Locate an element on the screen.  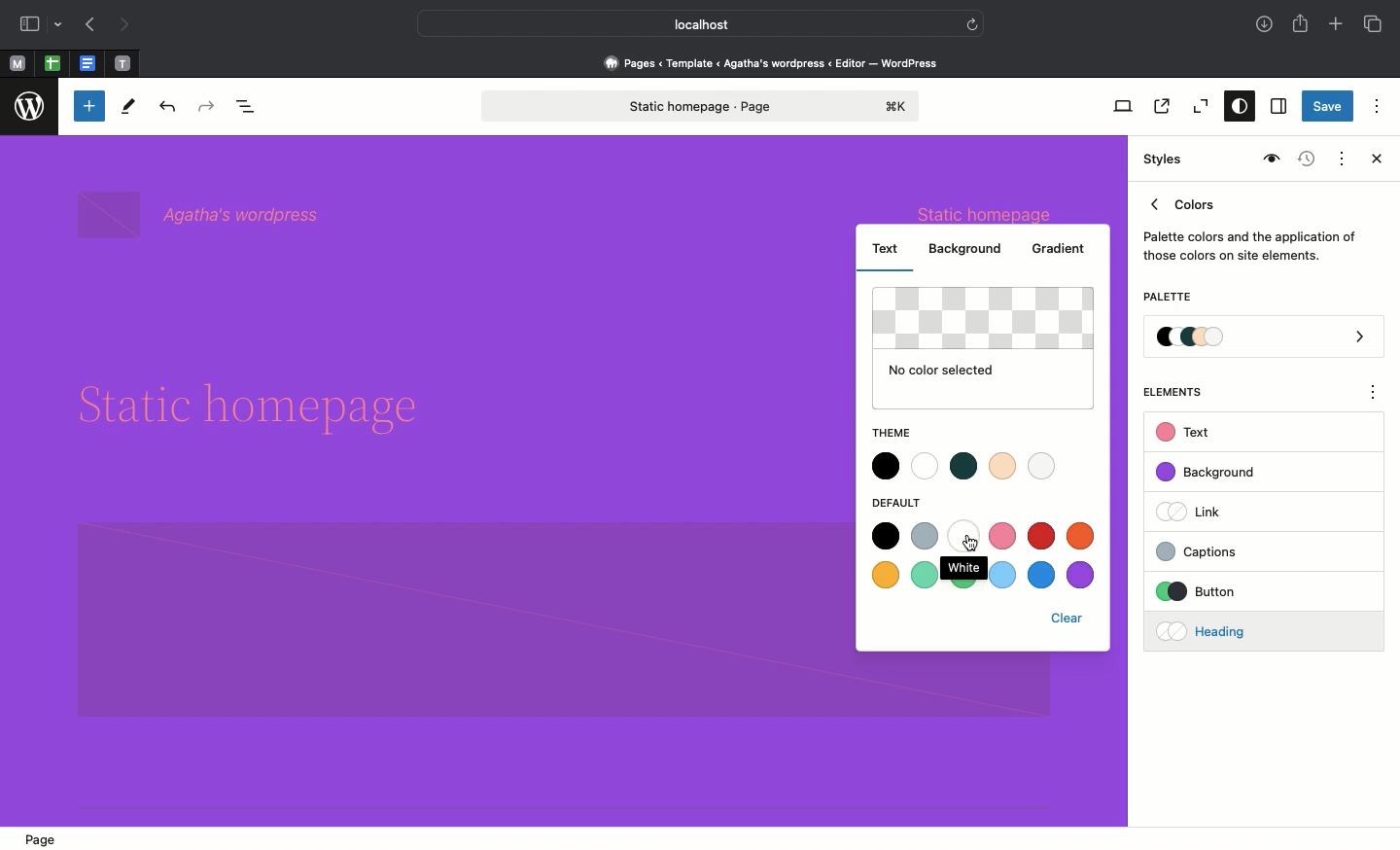
Clicking on button is located at coordinates (1235, 592).